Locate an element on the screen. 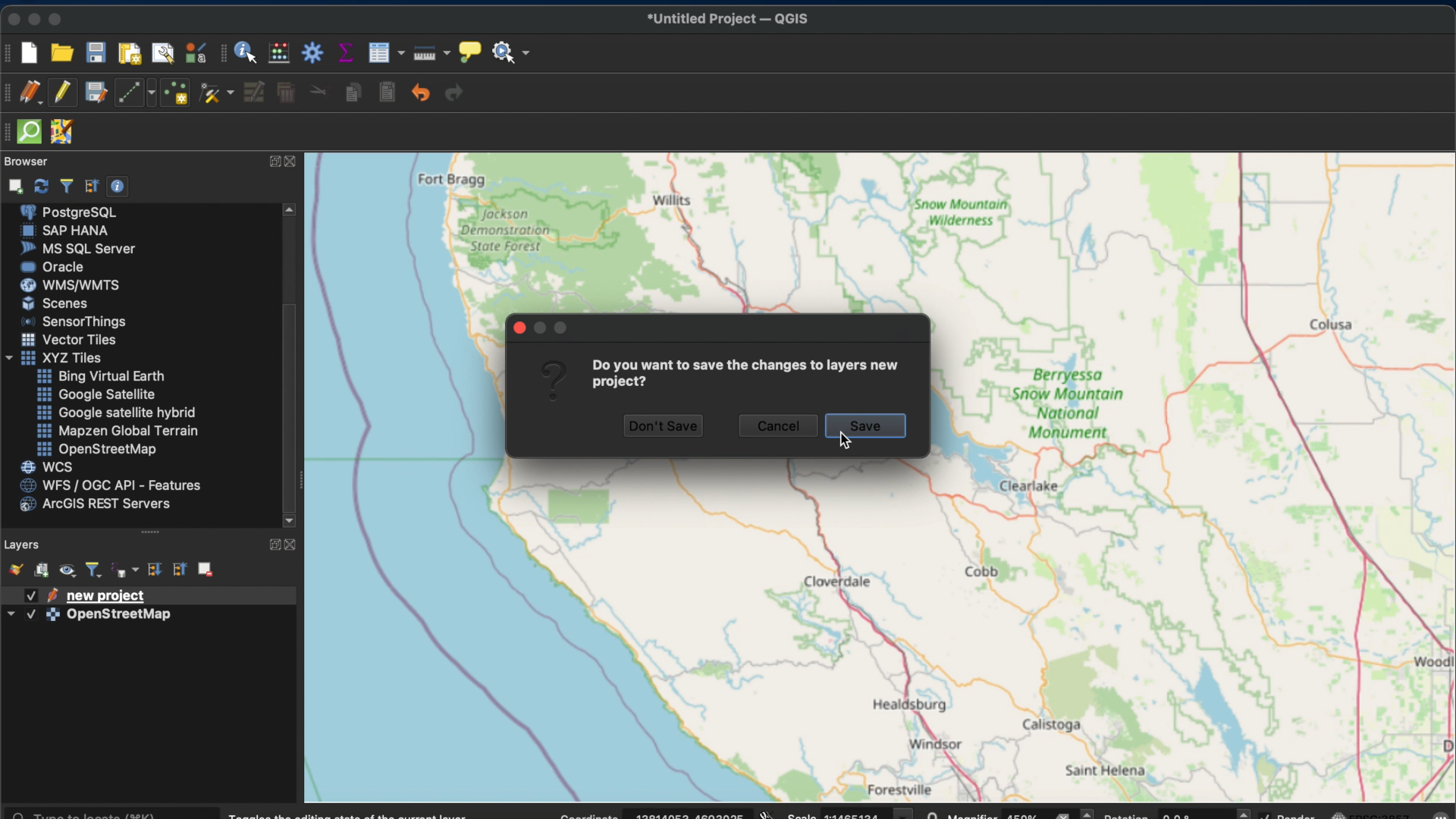 The image size is (1456, 819). redo is located at coordinates (453, 92).